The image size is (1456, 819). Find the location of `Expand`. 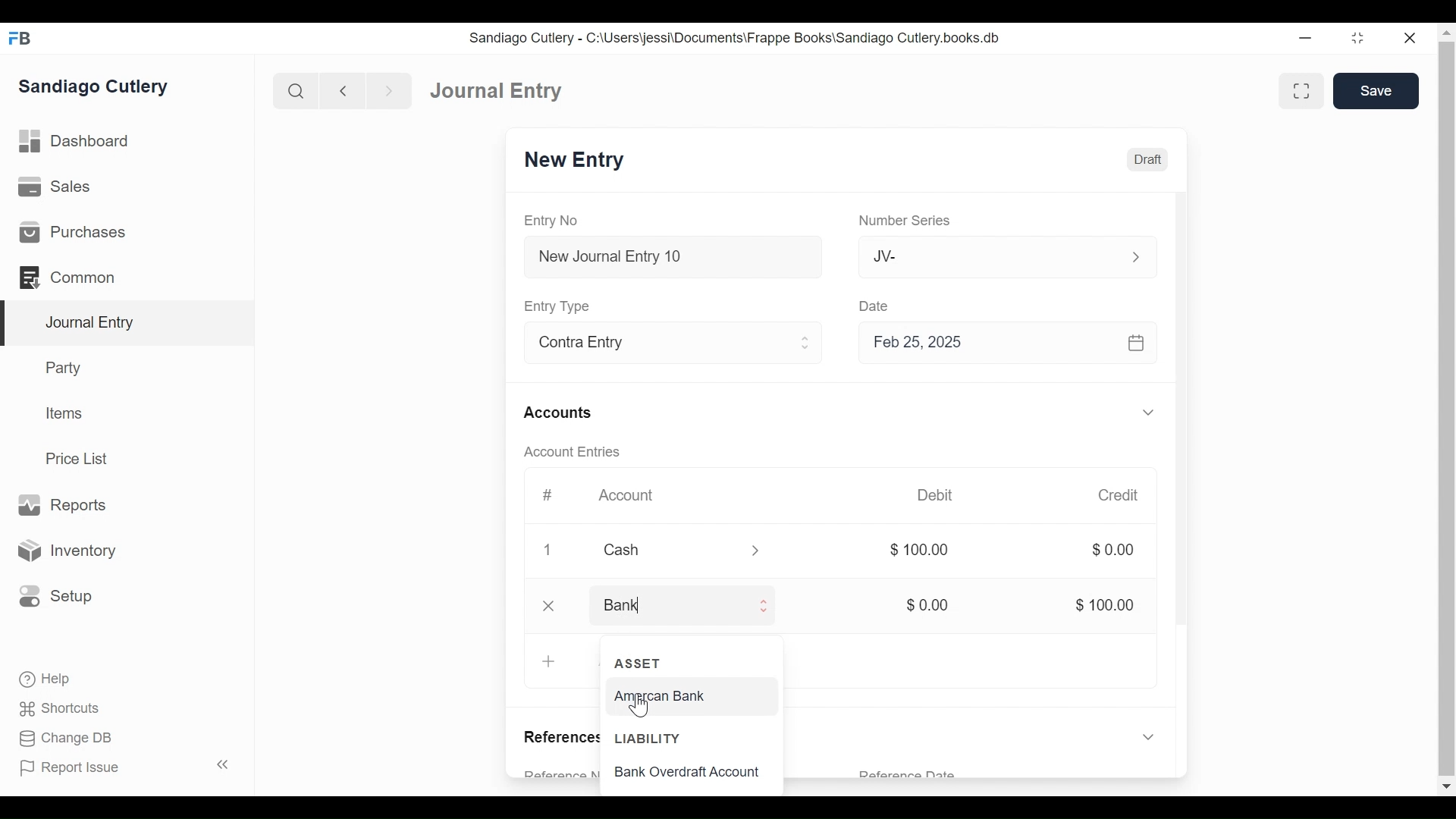

Expand is located at coordinates (1152, 736).